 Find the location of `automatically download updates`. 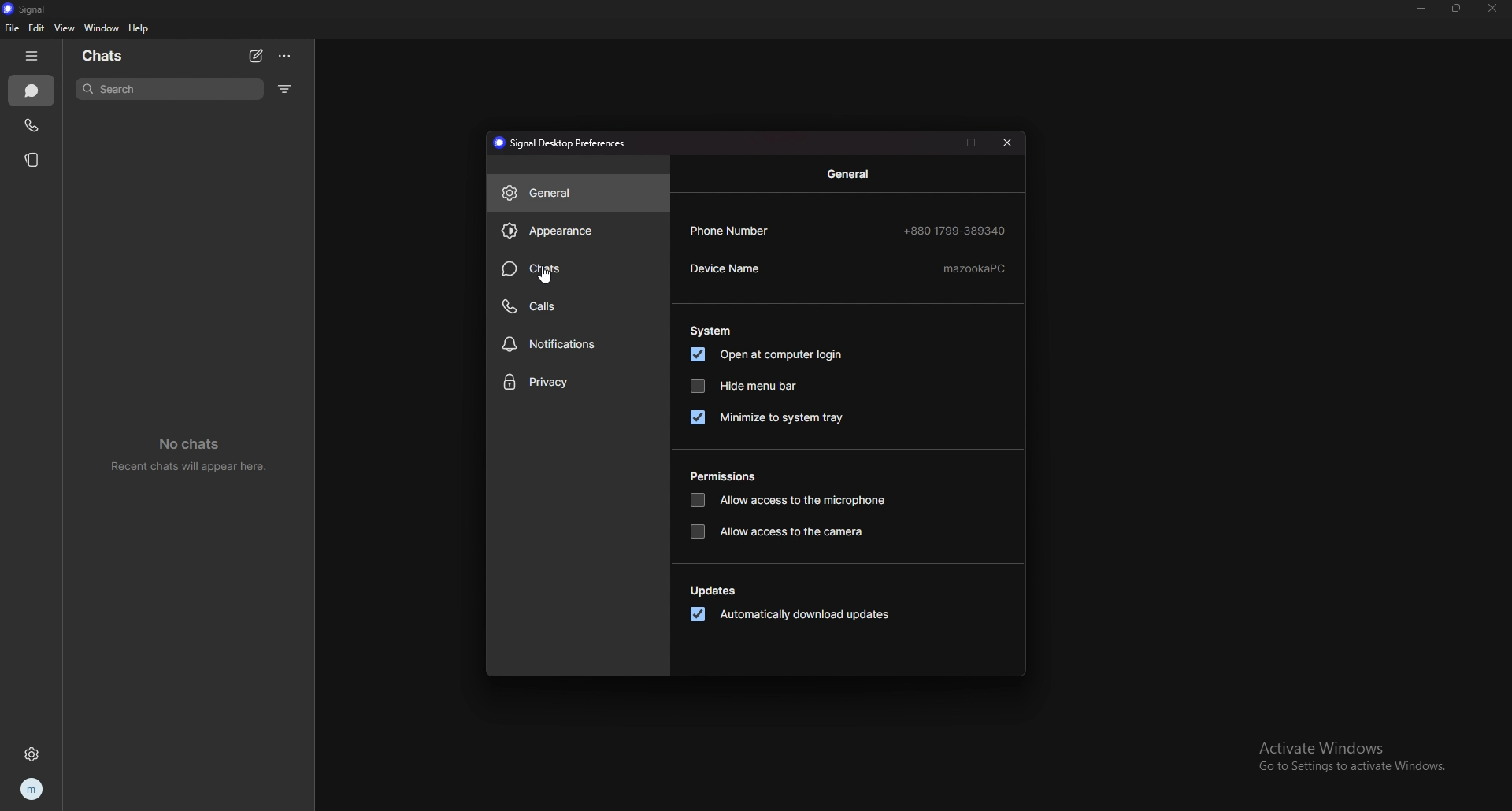

automatically download updates is located at coordinates (792, 614).